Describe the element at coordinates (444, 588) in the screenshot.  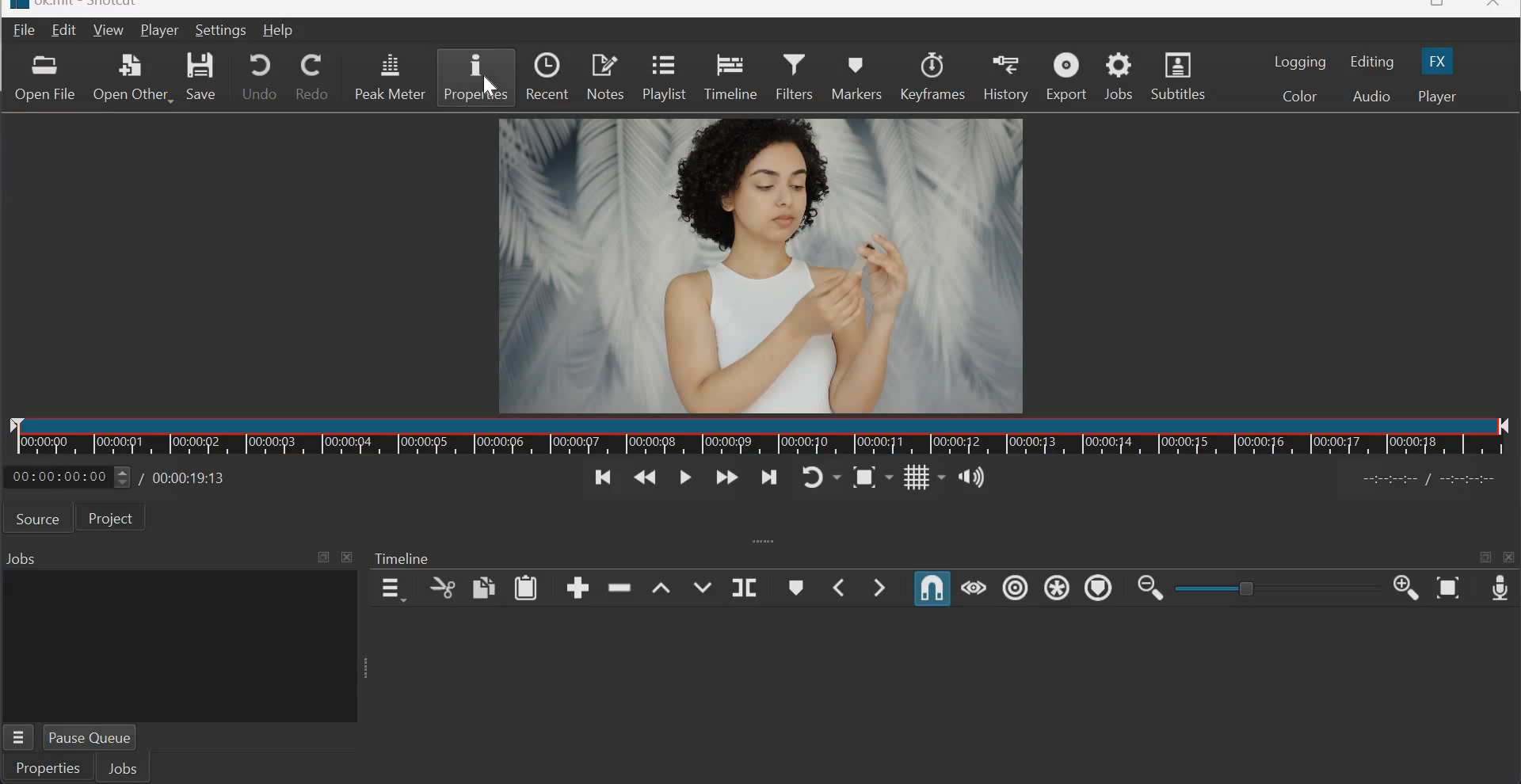
I see `cut` at that location.